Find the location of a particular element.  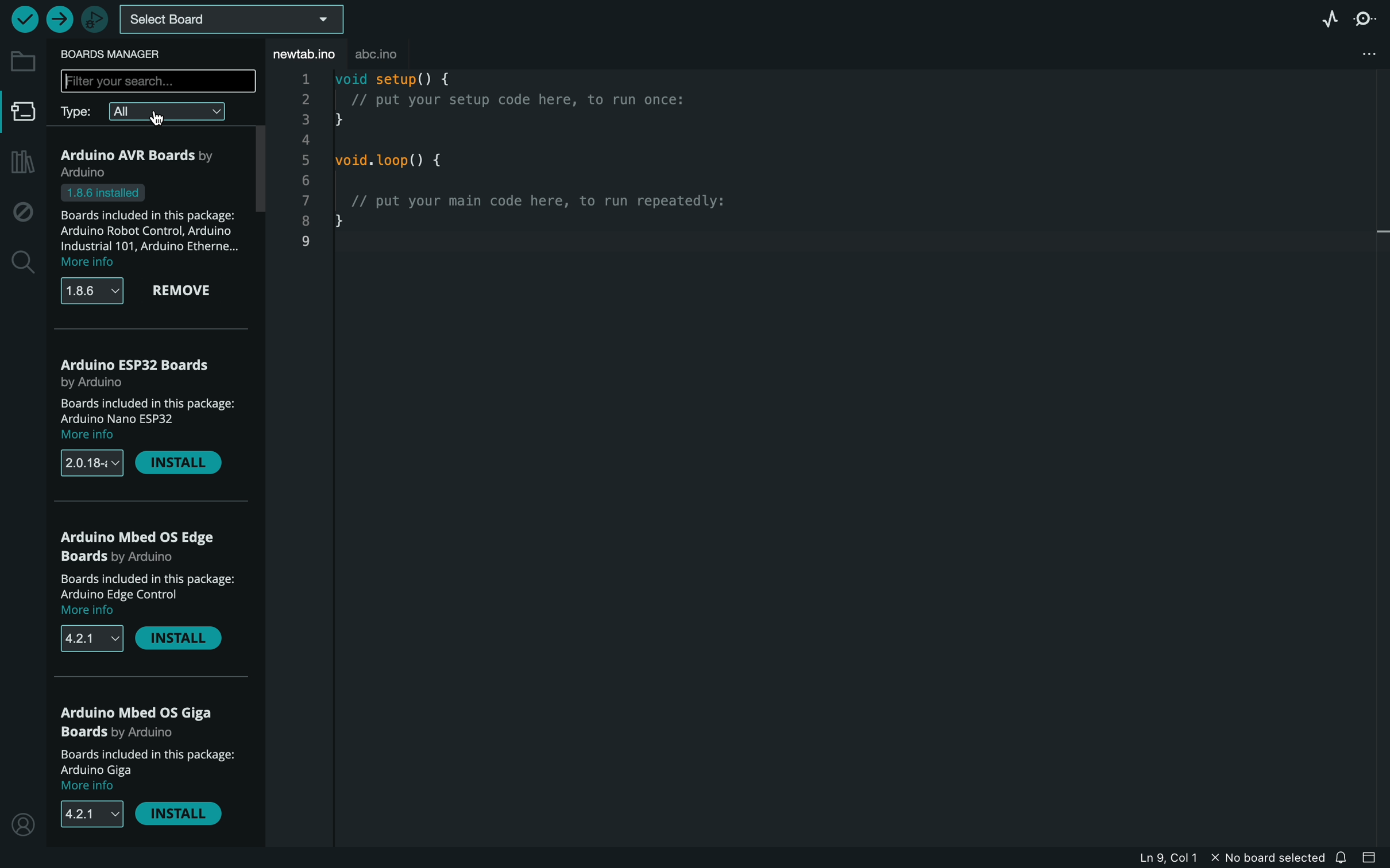

description is located at coordinates (150, 770).